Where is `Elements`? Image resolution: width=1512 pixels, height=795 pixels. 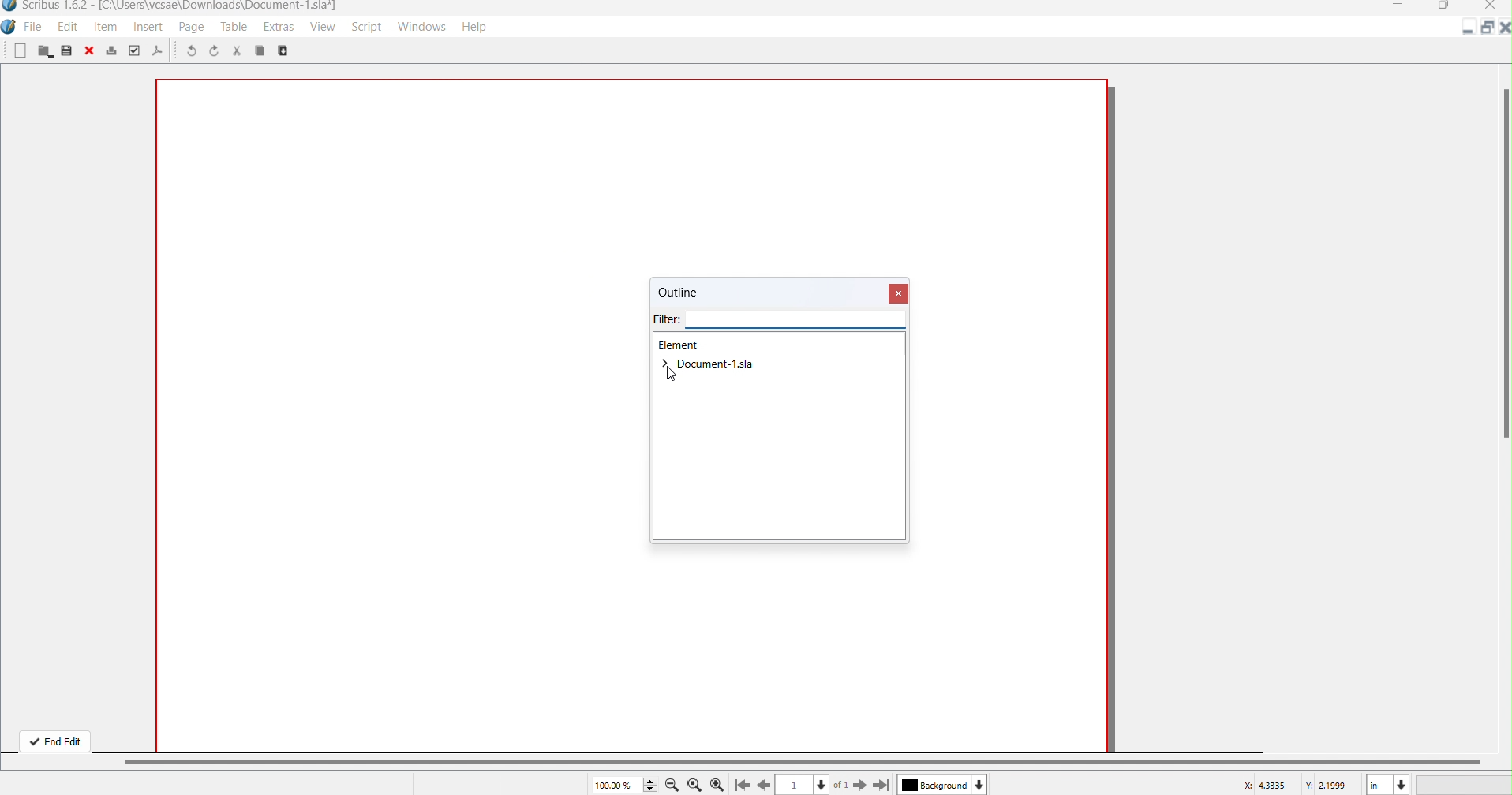
Elements is located at coordinates (681, 345).